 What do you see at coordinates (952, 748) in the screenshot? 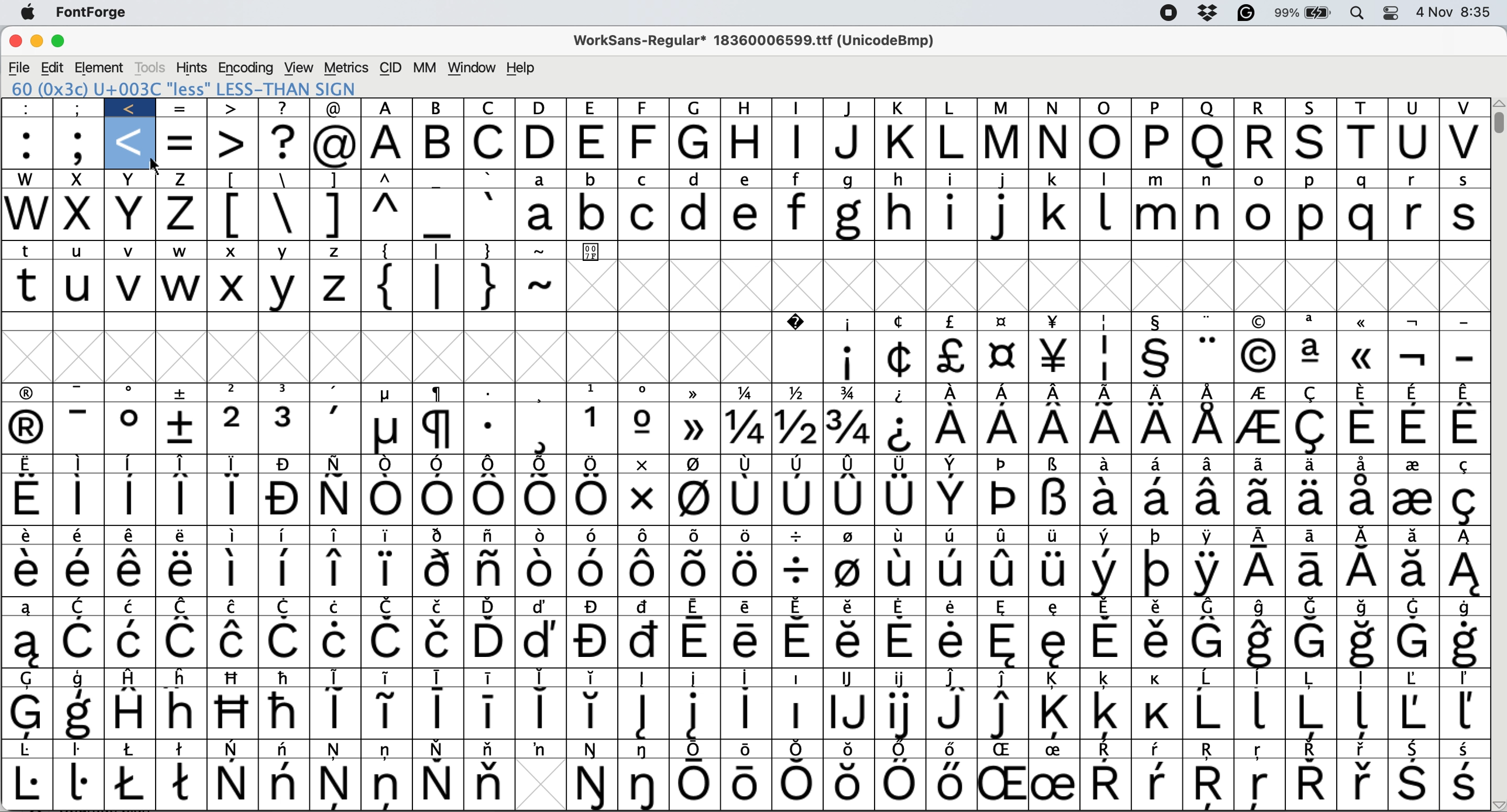
I see `Symbol` at bounding box center [952, 748].